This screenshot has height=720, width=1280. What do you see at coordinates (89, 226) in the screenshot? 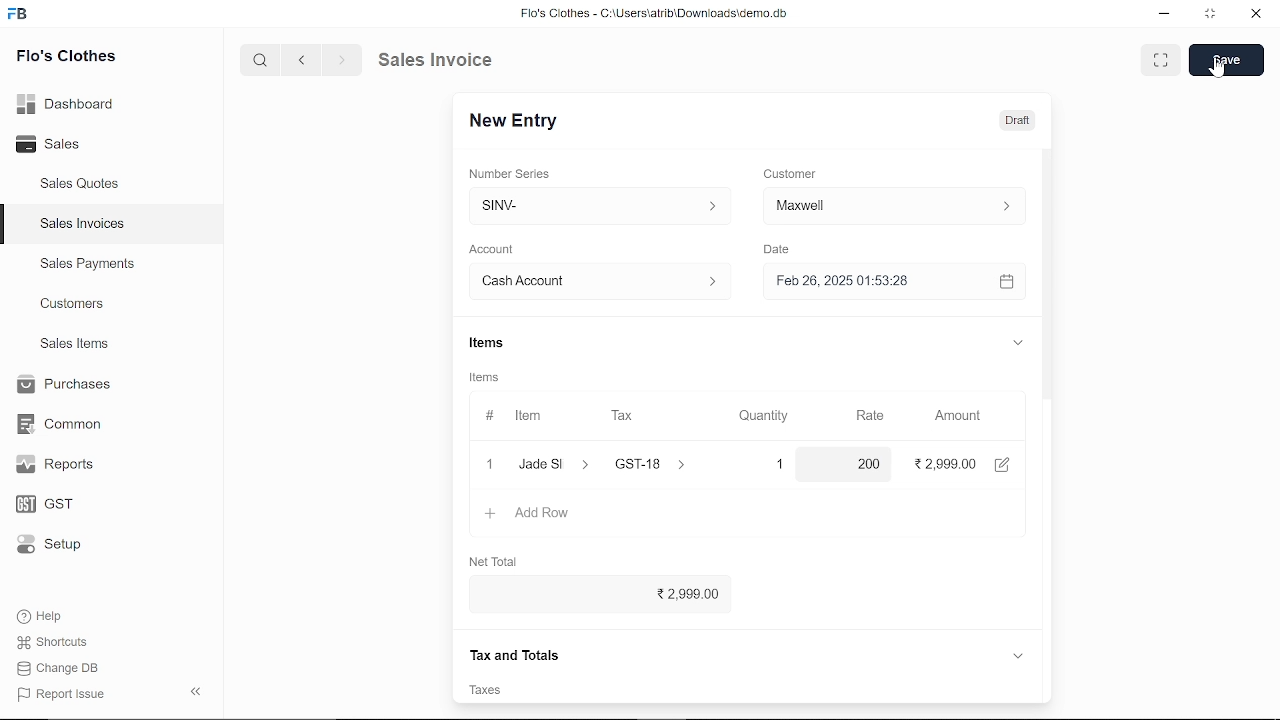
I see `Sales Invoices` at bounding box center [89, 226].